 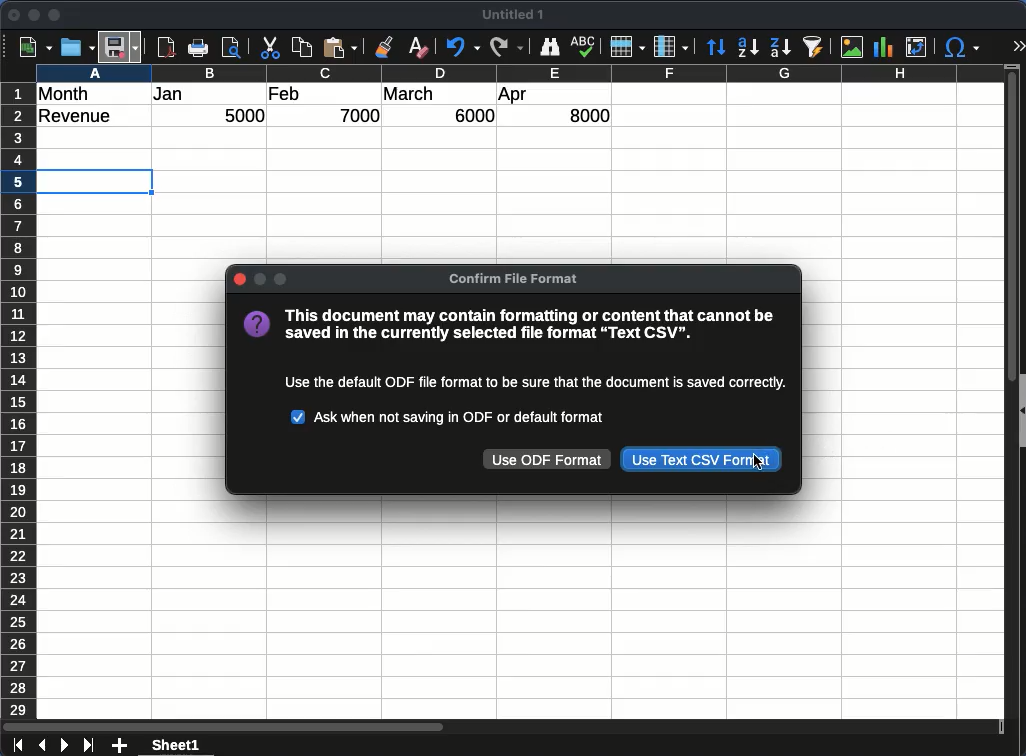 What do you see at coordinates (851, 47) in the screenshot?
I see `image` at bounding box center [851, 47].